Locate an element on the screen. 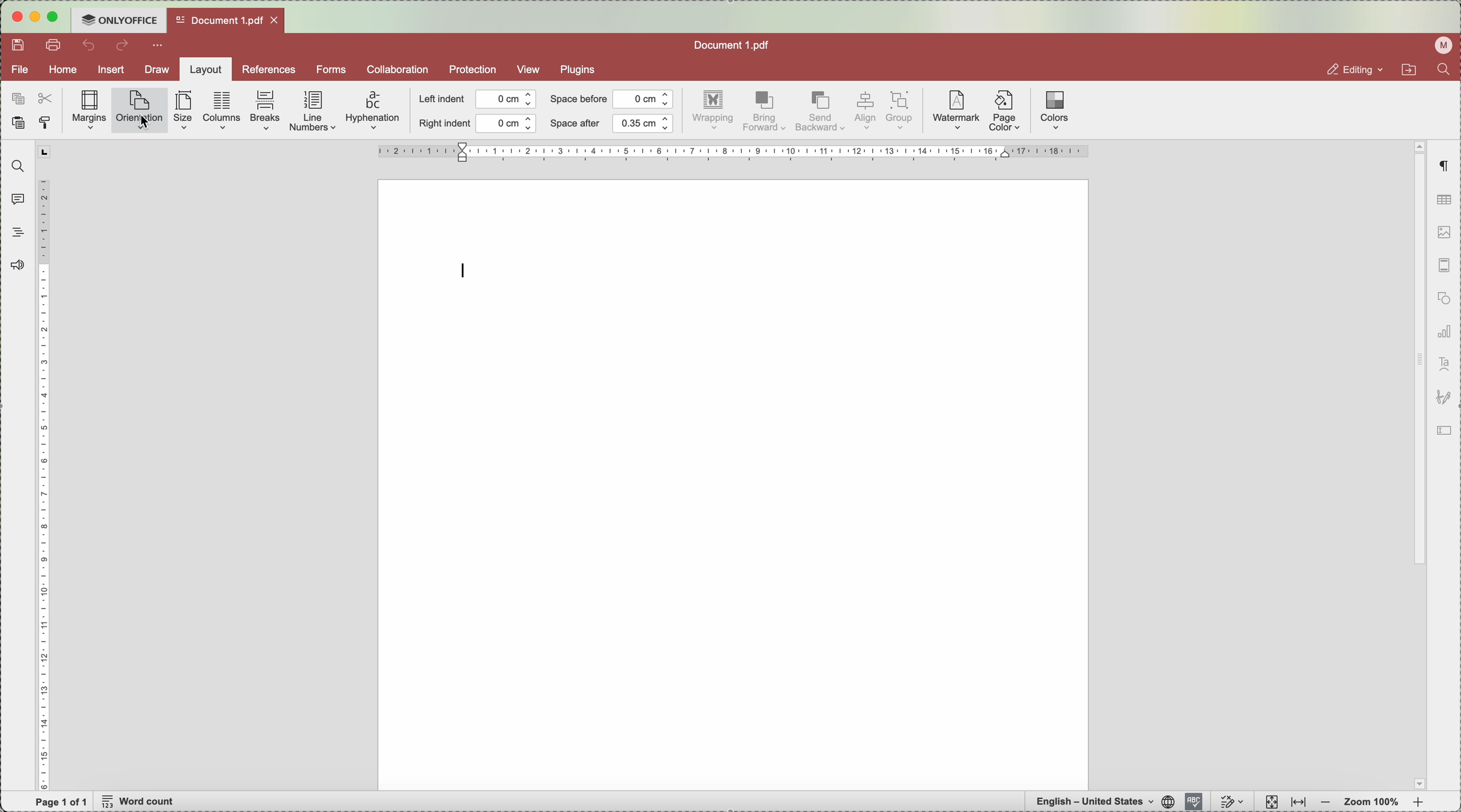  references is located at coordinates (268, 69).